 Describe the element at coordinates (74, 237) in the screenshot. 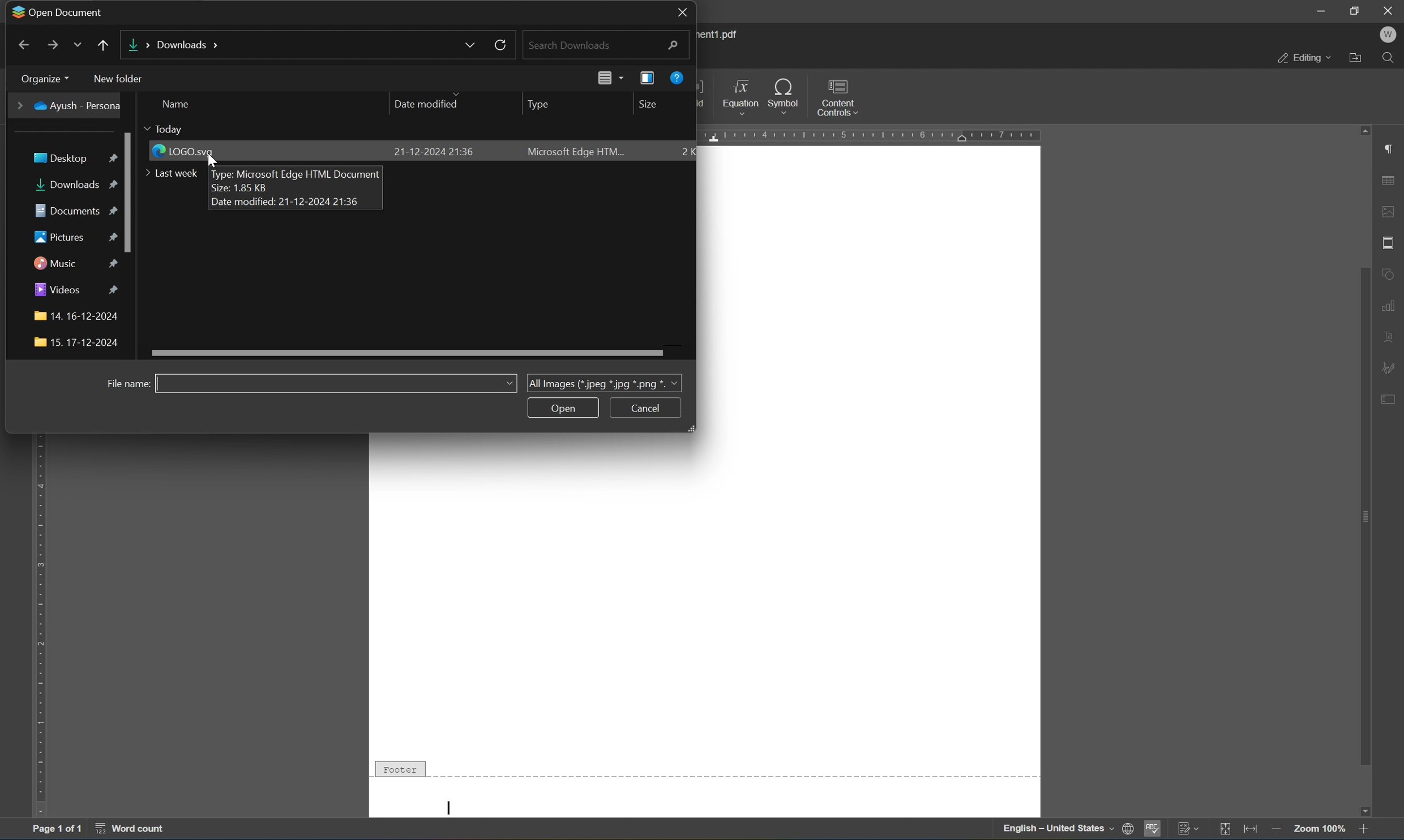

I see `pictures` at that location.